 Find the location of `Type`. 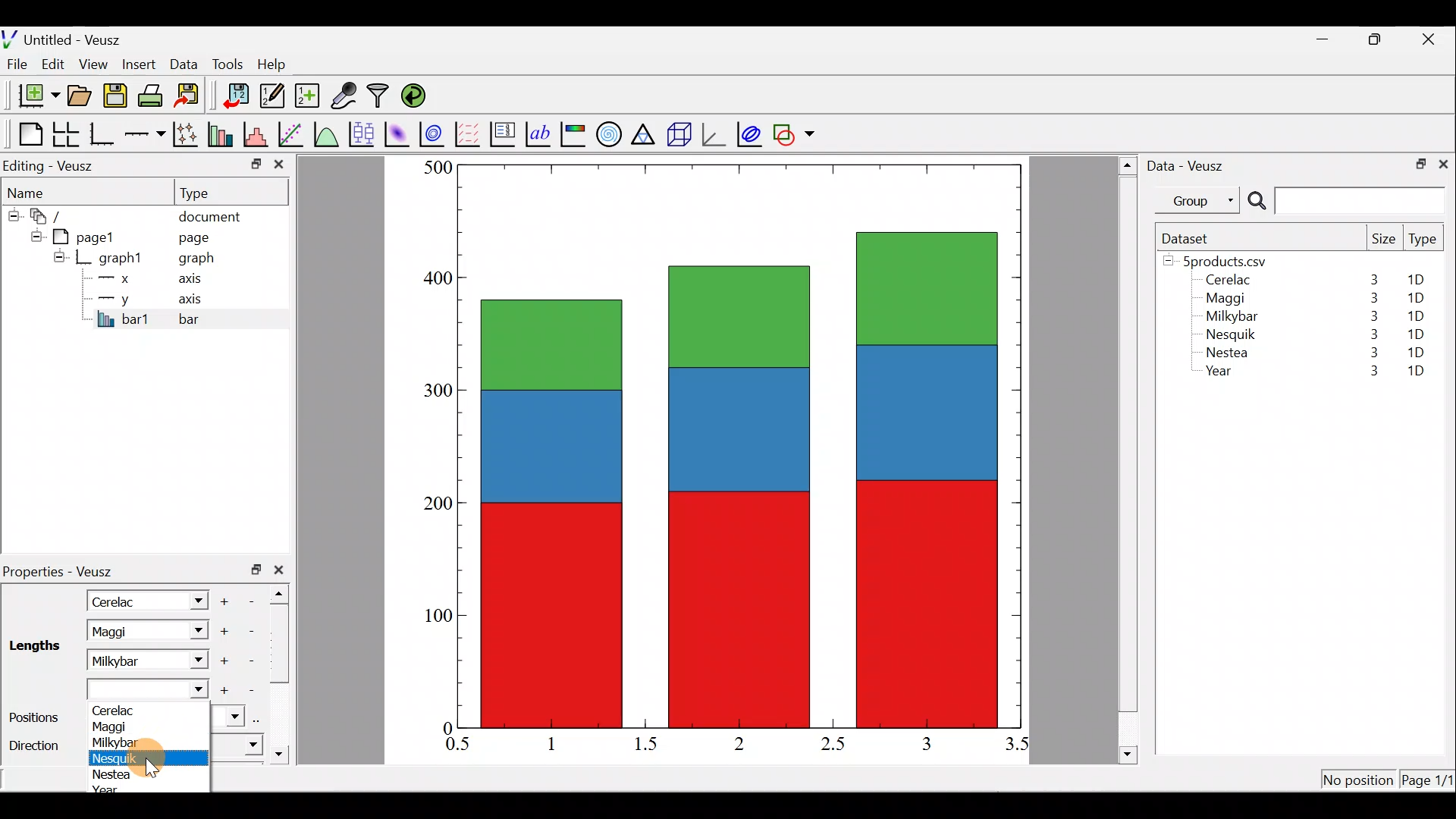

Type is located at coordinates (1424, 243).